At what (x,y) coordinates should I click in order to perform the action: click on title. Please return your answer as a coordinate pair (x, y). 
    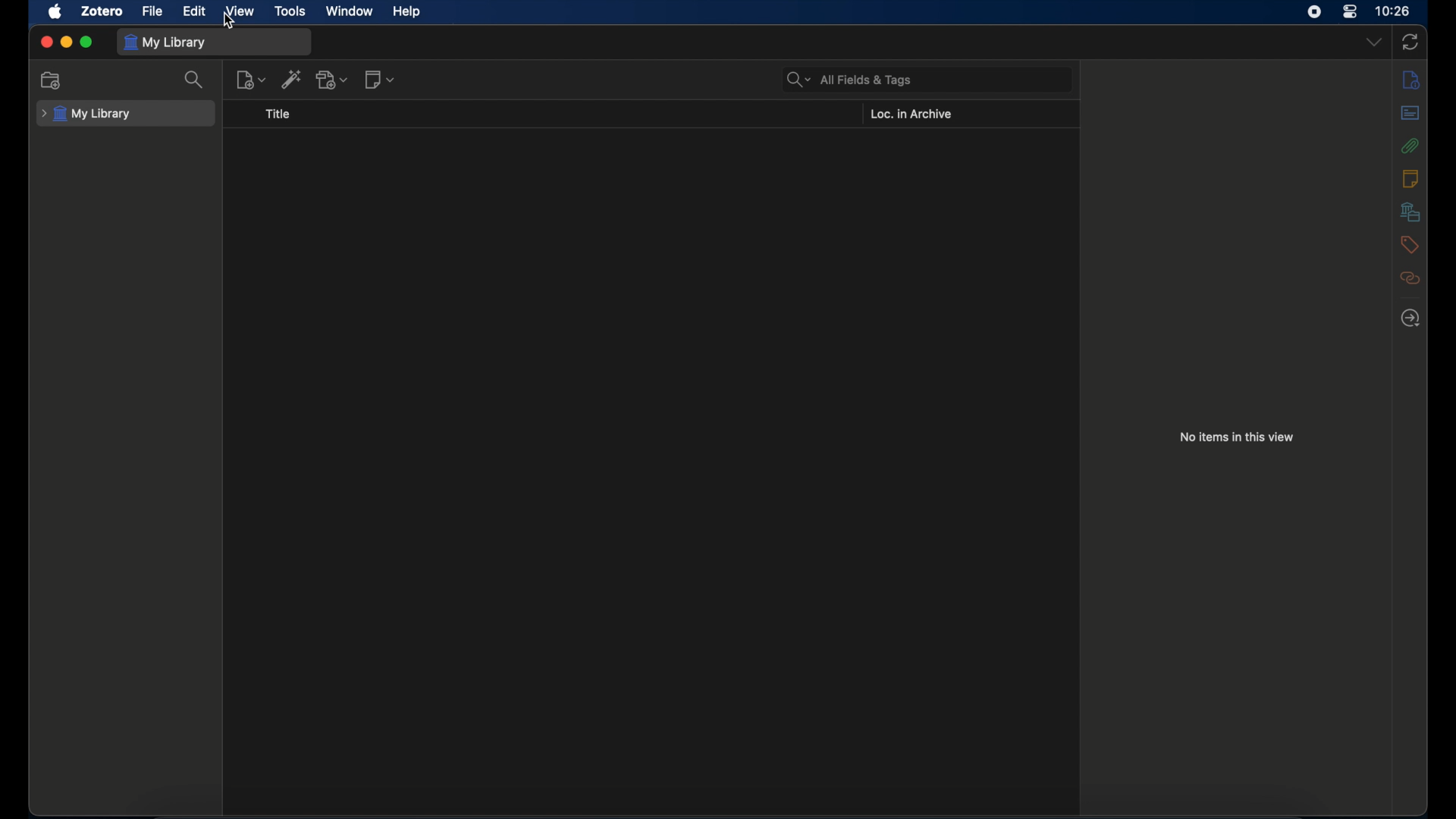
    Looking at the image, I should click on (278, 115).